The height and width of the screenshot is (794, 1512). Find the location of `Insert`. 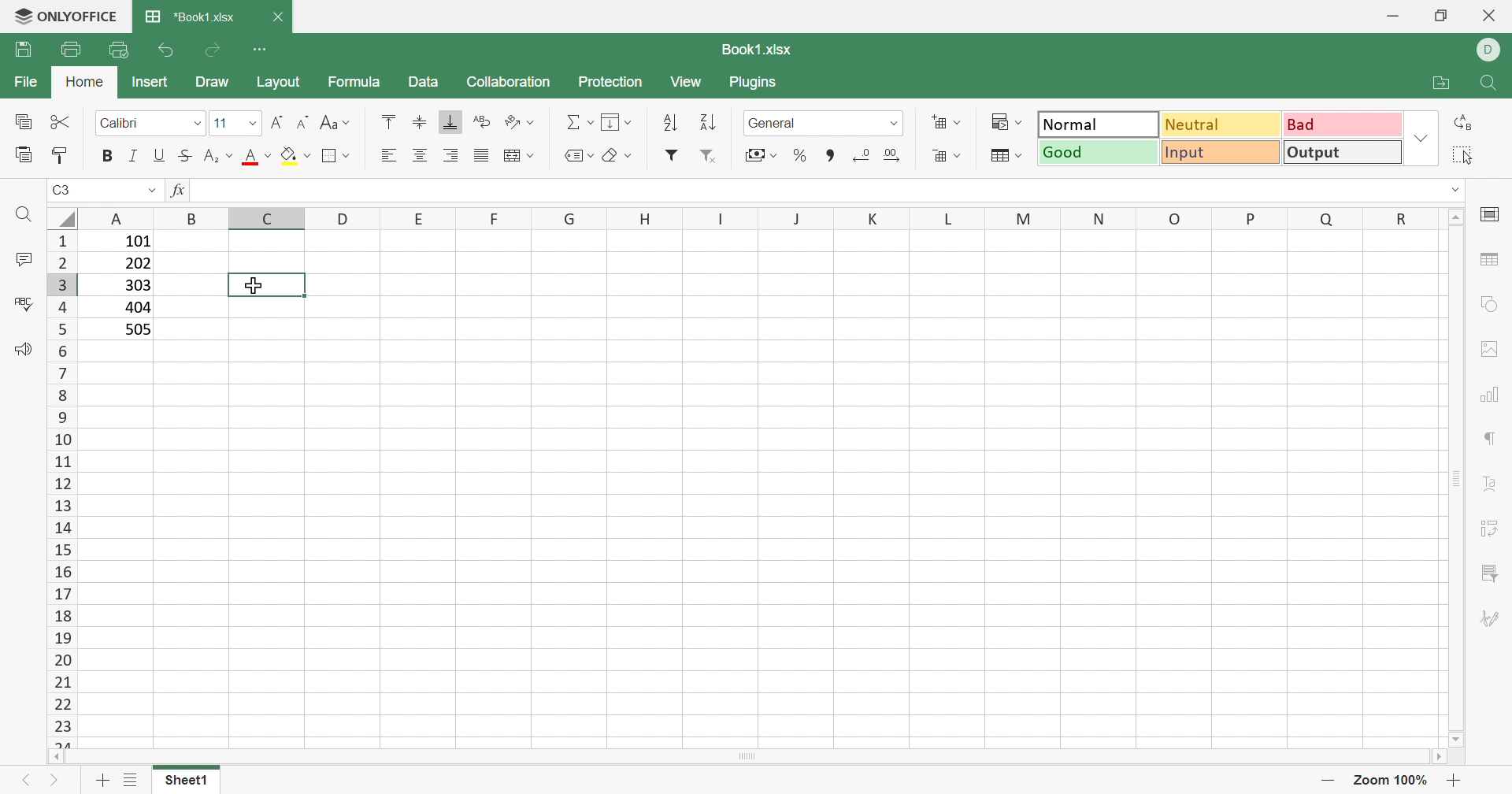

Insert is located at coordinates (150, 80).